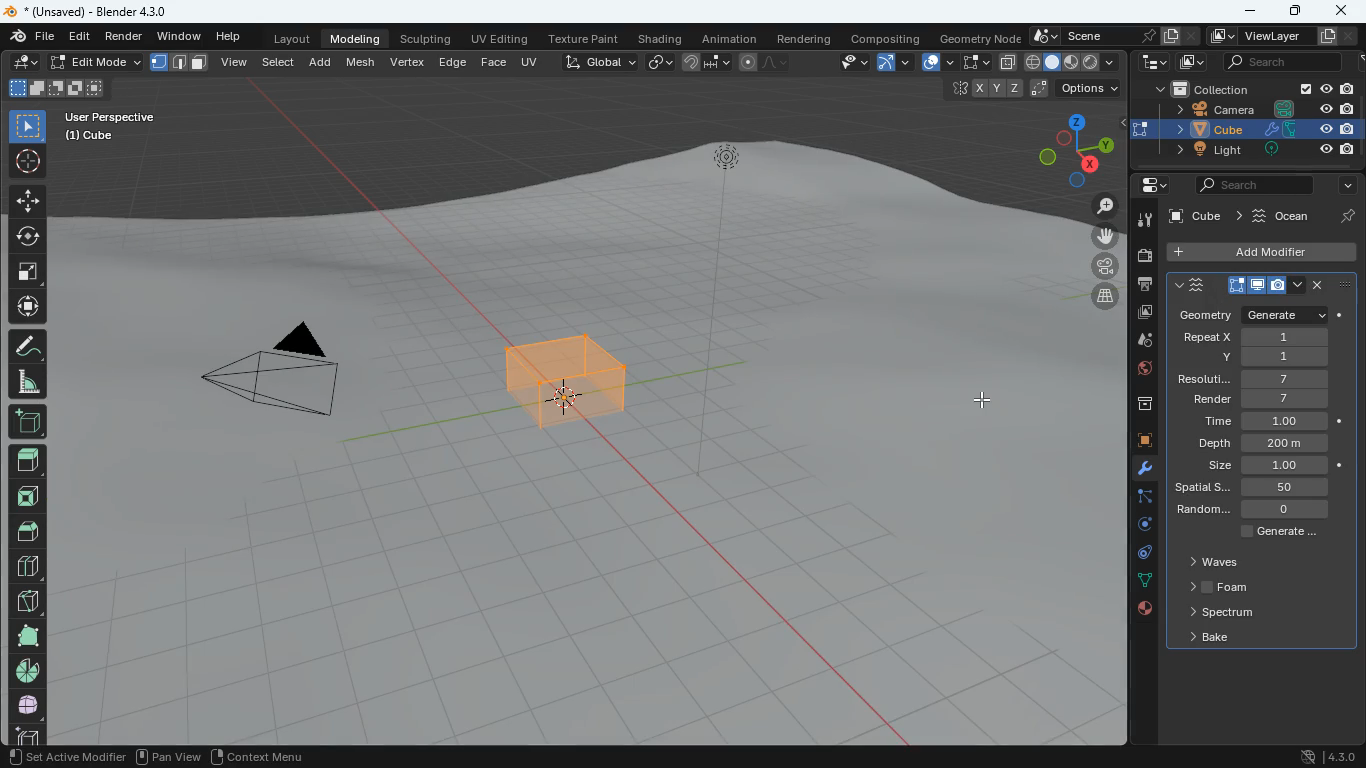 This screenshot has width=1366, height=768. What do you see at coordinates (1272, 443) in the screenshot?
I see `depth` at bounding box center [1272, 443].